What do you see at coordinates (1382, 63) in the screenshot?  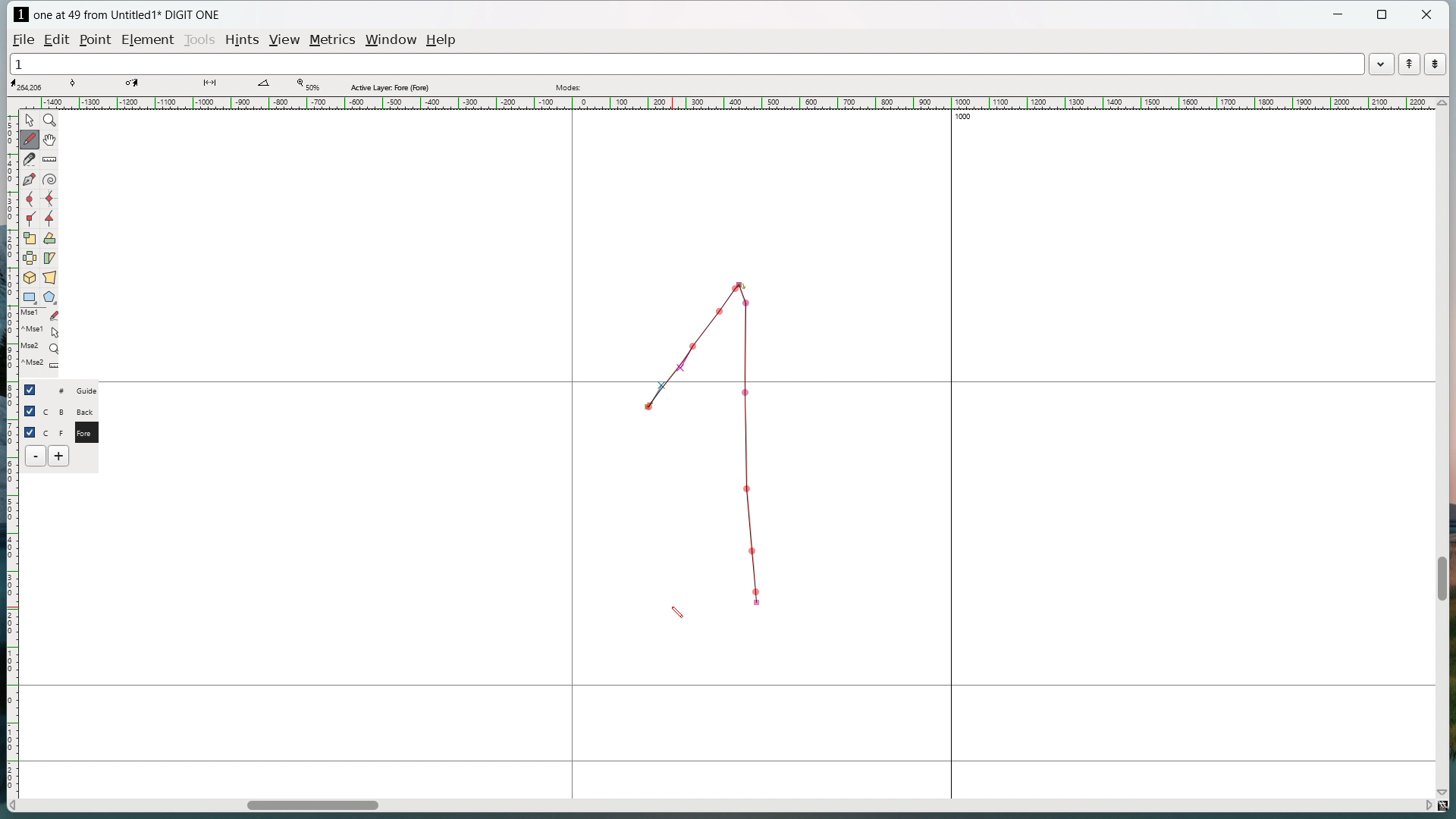 I see `word list` at bounding box center [1382, 63].